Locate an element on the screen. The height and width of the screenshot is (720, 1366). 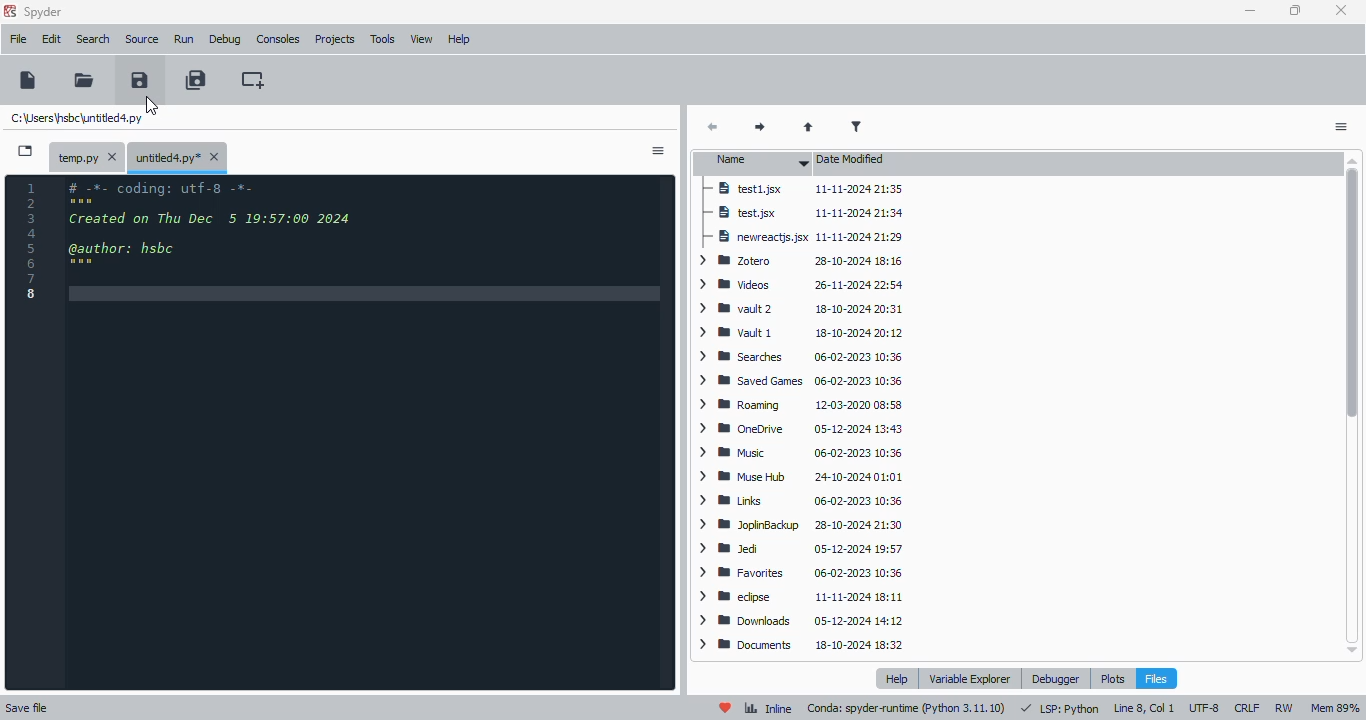
search is located at coordinates (94, 39).